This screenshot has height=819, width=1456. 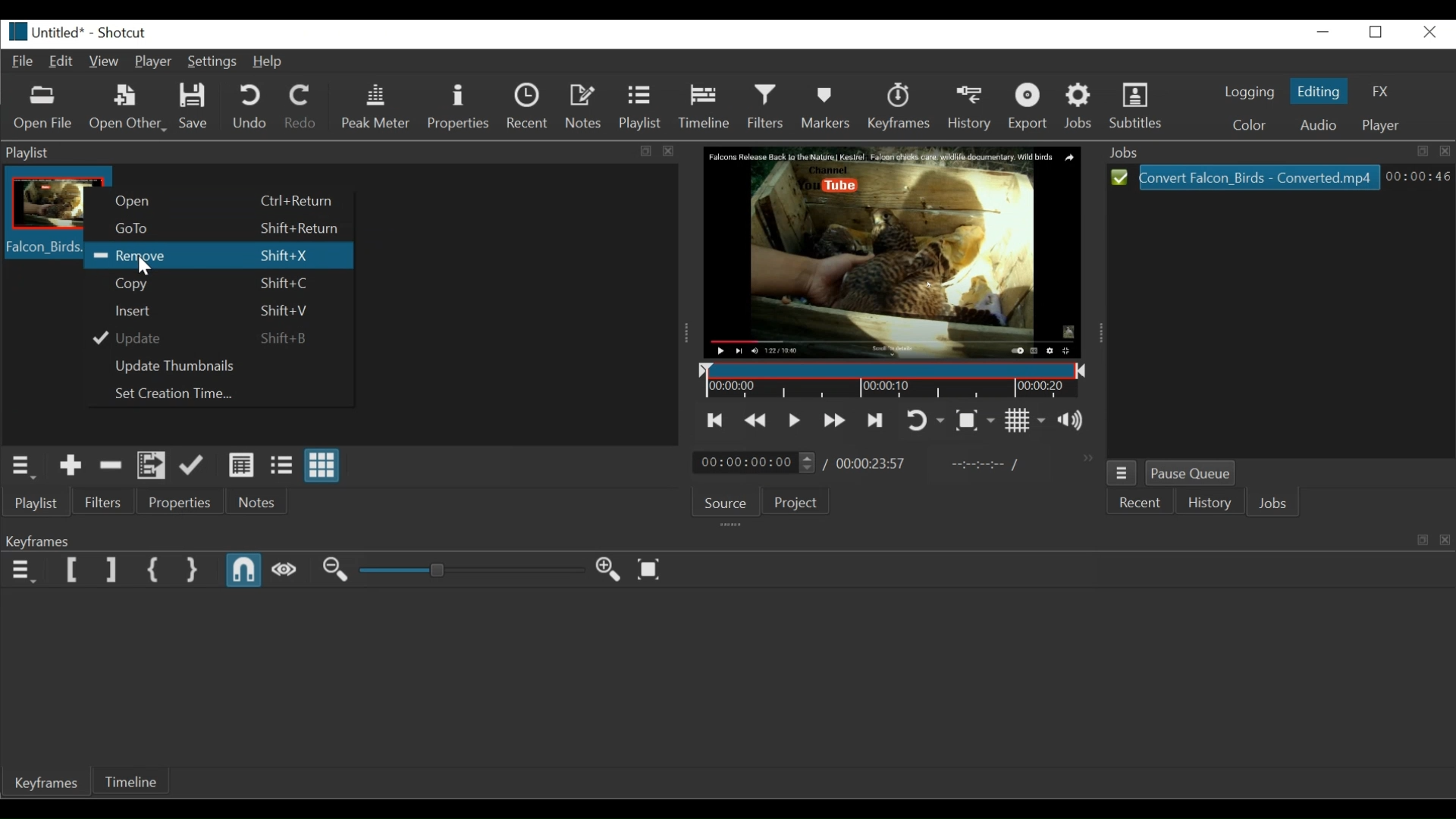 What do you see at coordinates (269, 62) in the screenshot?
I see `Help` at bounding box center [269, 62].